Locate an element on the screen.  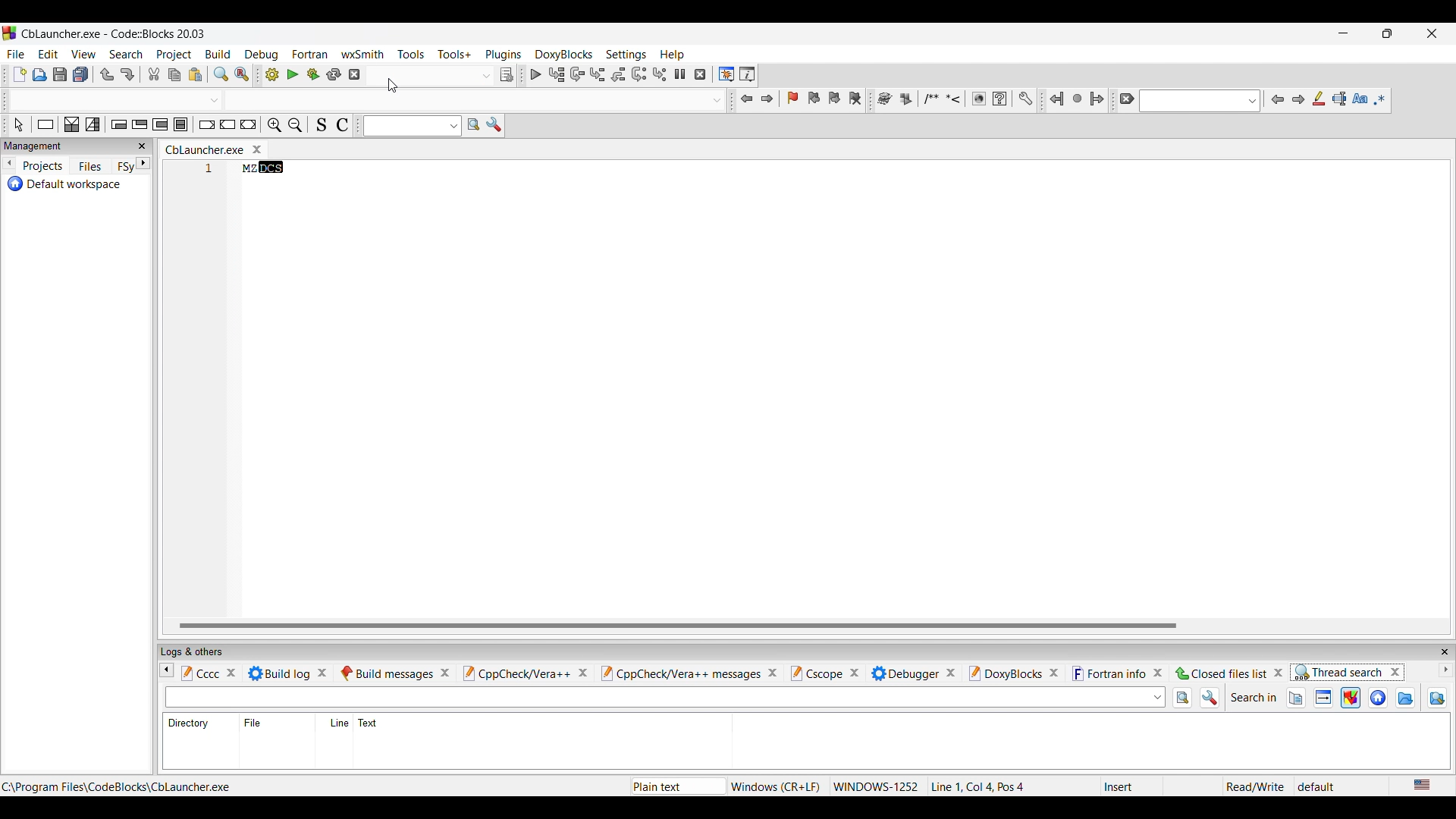
Build log is located at coordinates (281, 673).